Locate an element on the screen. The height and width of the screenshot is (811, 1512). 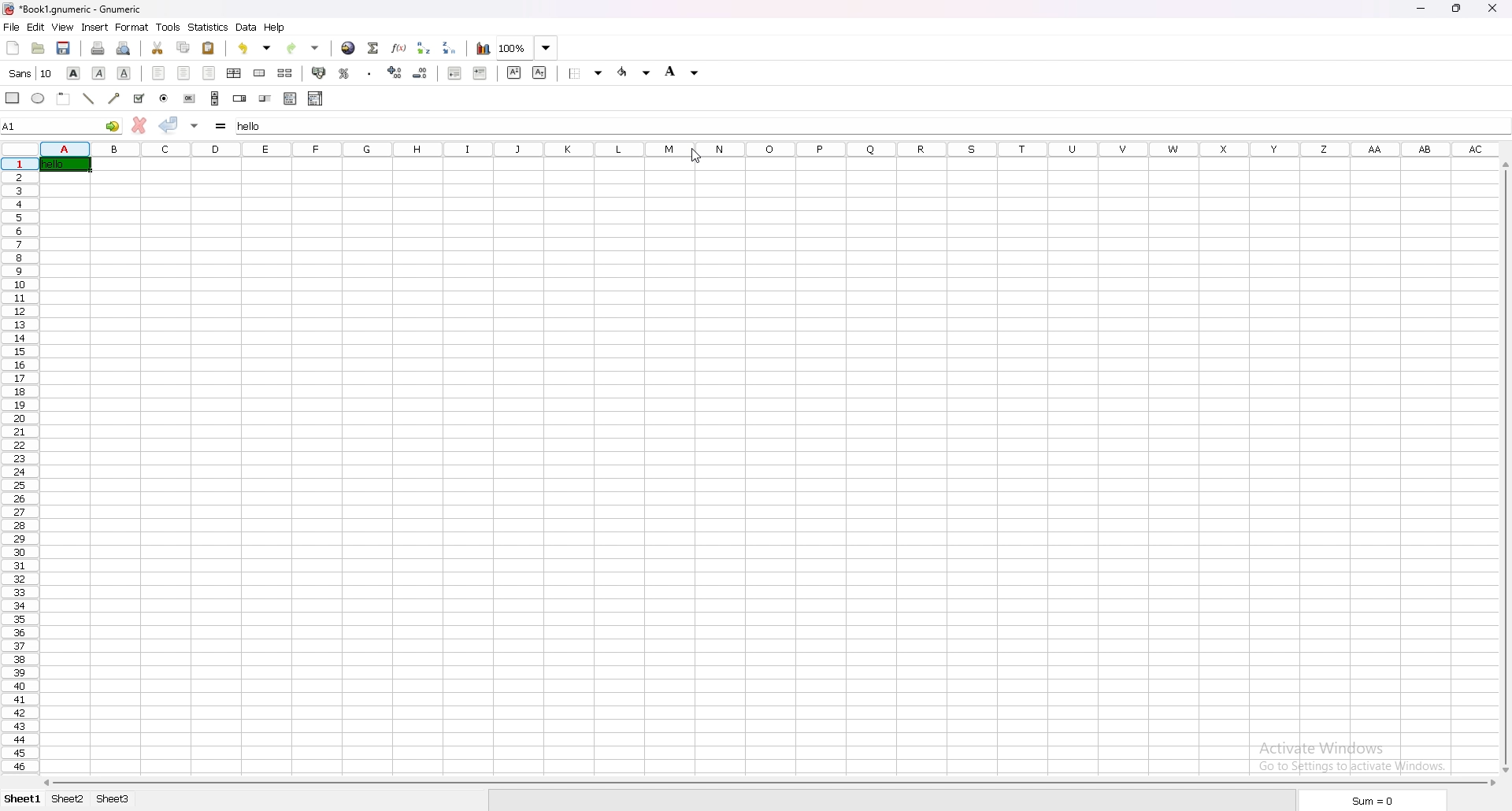
insert is located at coordinates (96, 27).